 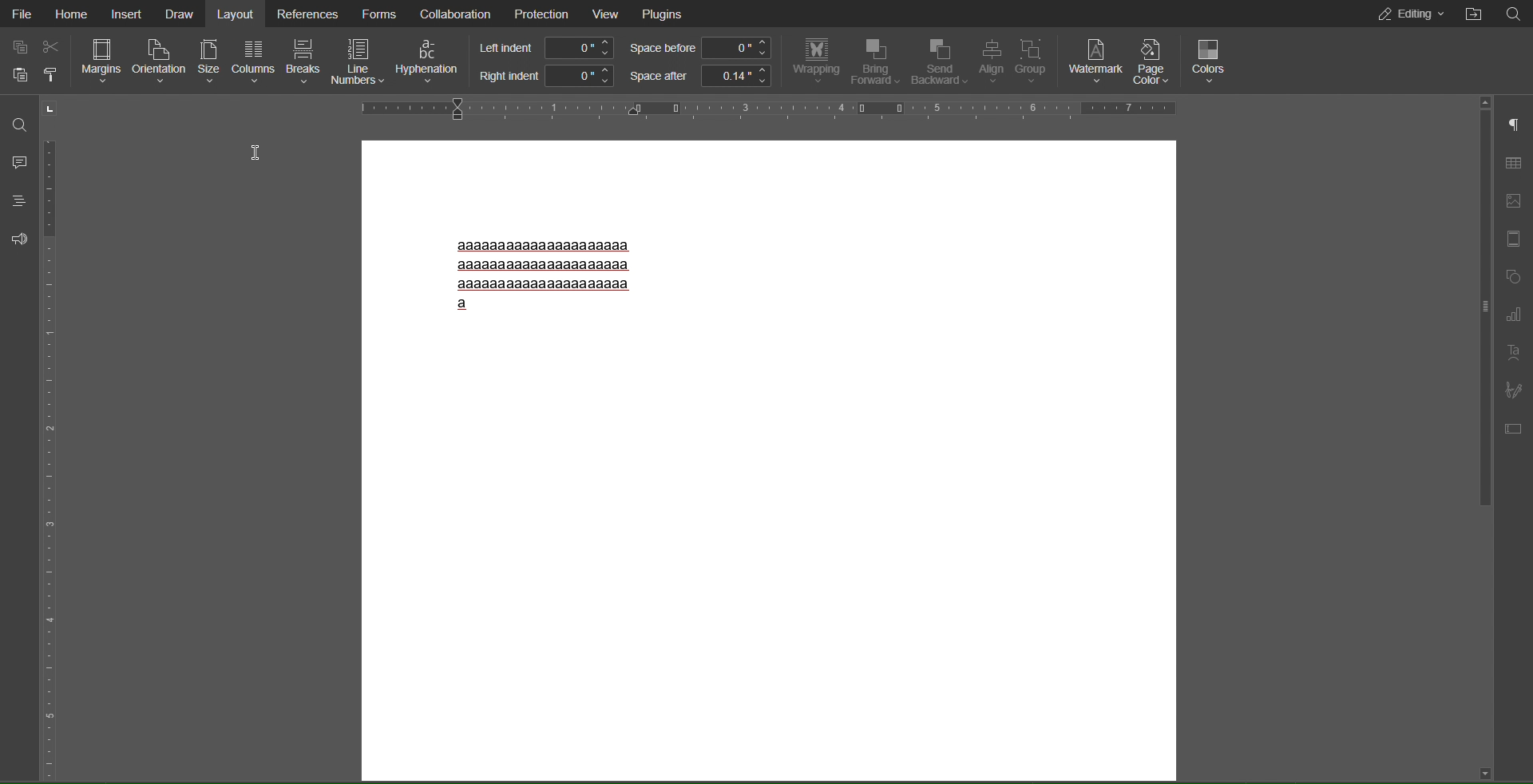 What do you see at coordinates (1402, 14) in the screenshot?
I see `Editing` at bounding box center [1402, 14].